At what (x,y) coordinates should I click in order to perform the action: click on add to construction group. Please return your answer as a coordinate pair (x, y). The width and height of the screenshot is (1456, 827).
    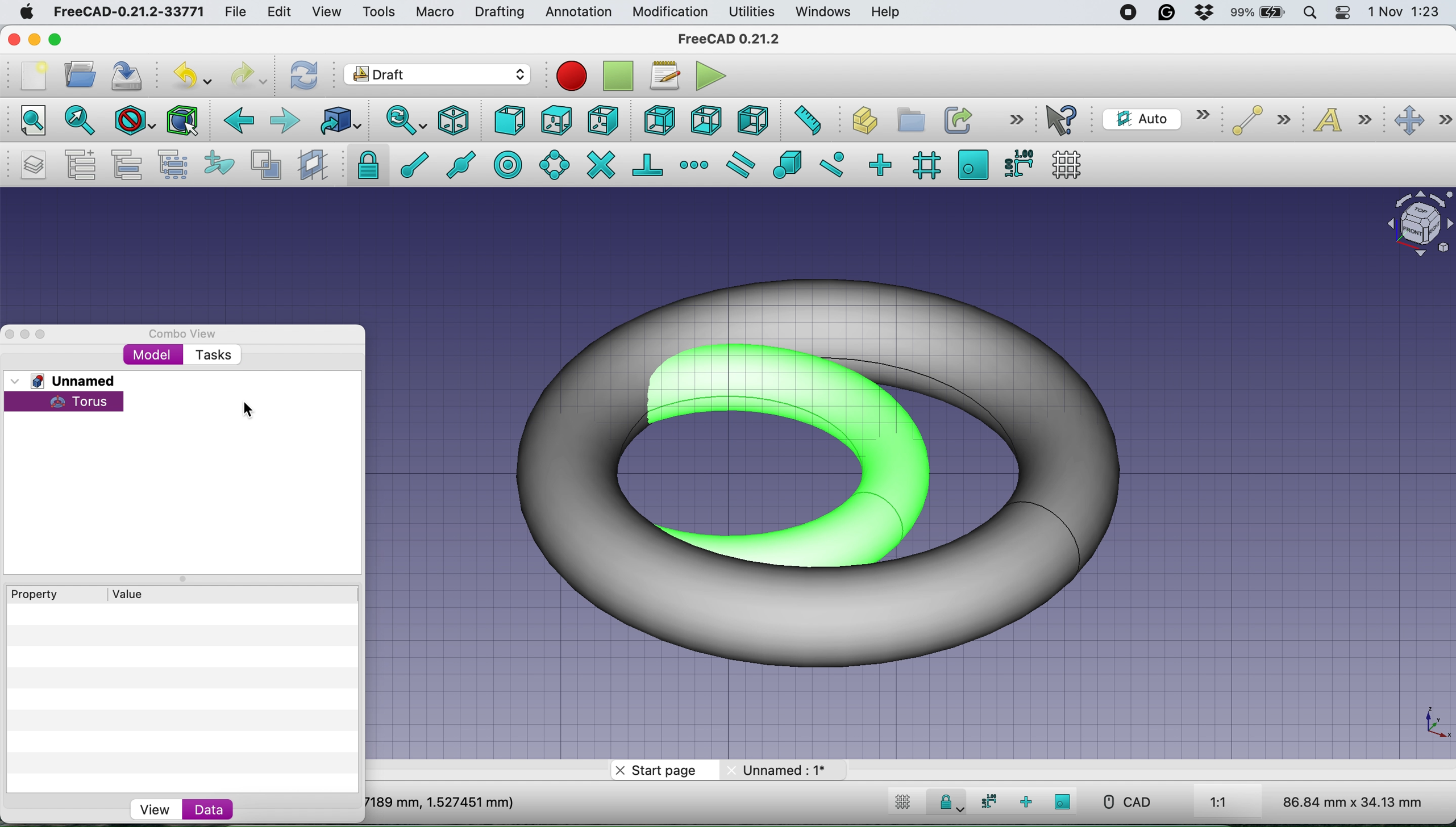
    Looking at the image, I should click on (215, 165).